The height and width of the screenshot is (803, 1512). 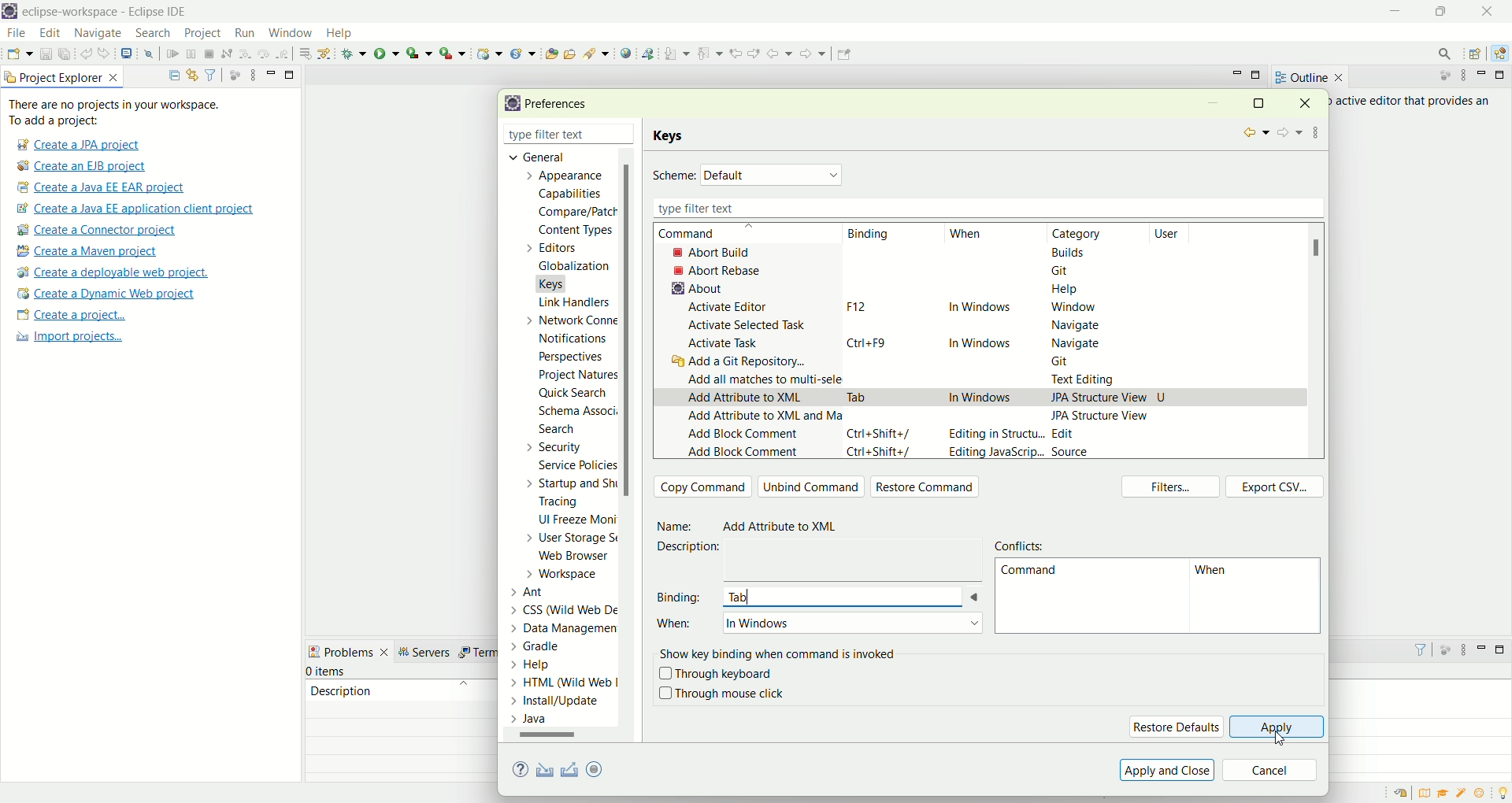 What do you see at coordinates (1503, 54) in the screenshot?
I see `Java EE` at bounding box center [1503, 54].